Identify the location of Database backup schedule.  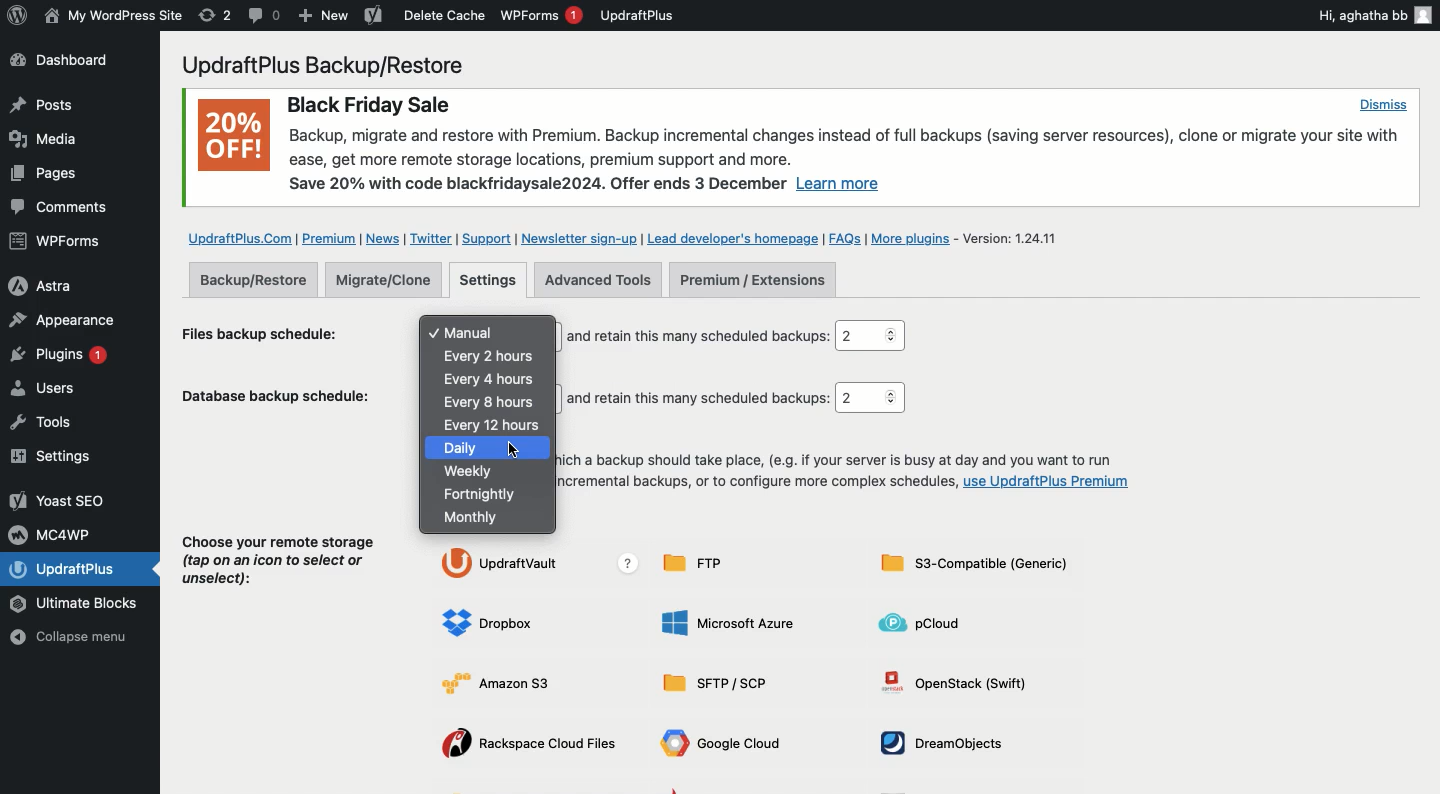
(280, 400).